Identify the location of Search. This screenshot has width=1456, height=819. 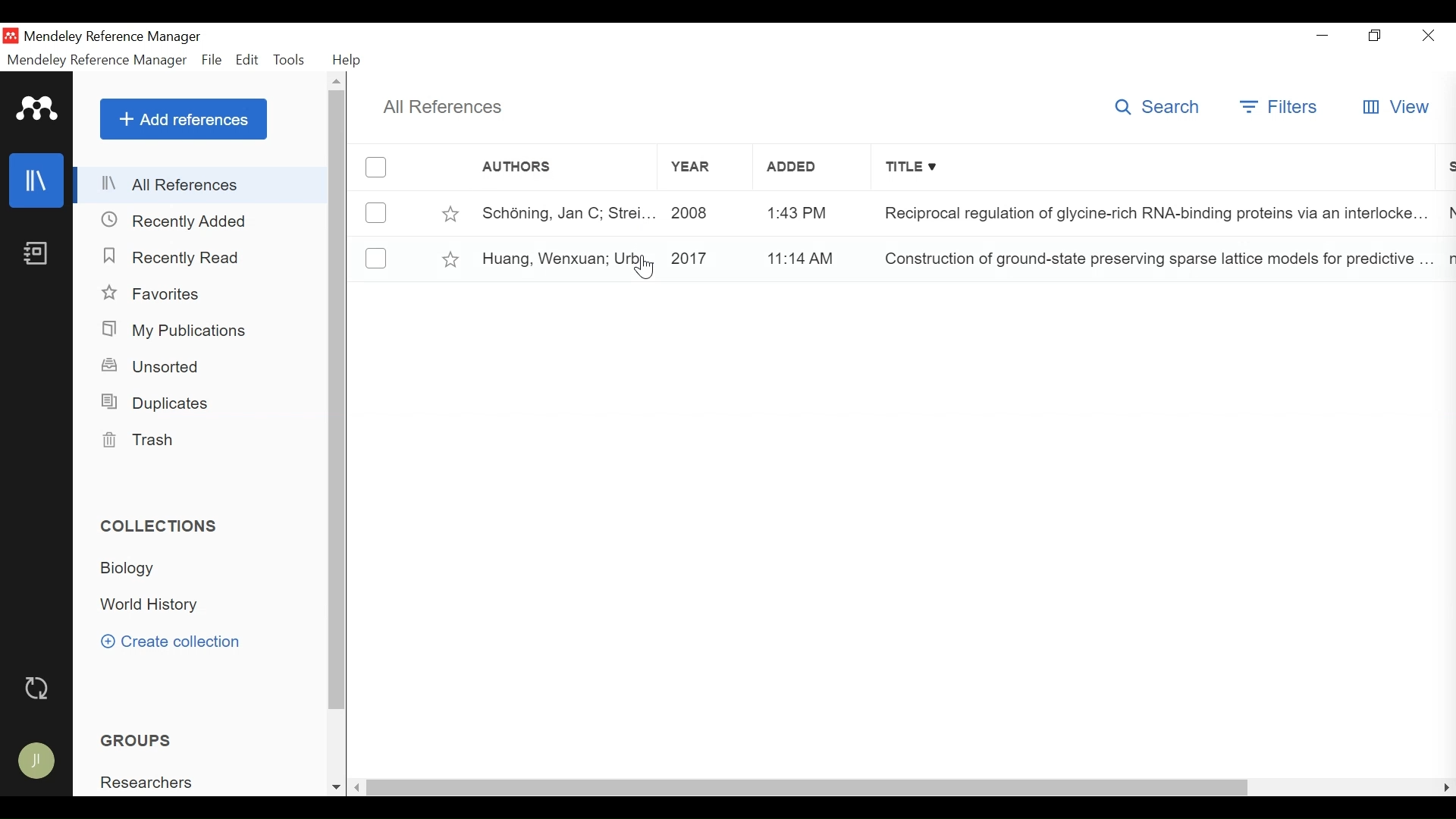
(1159, 106).